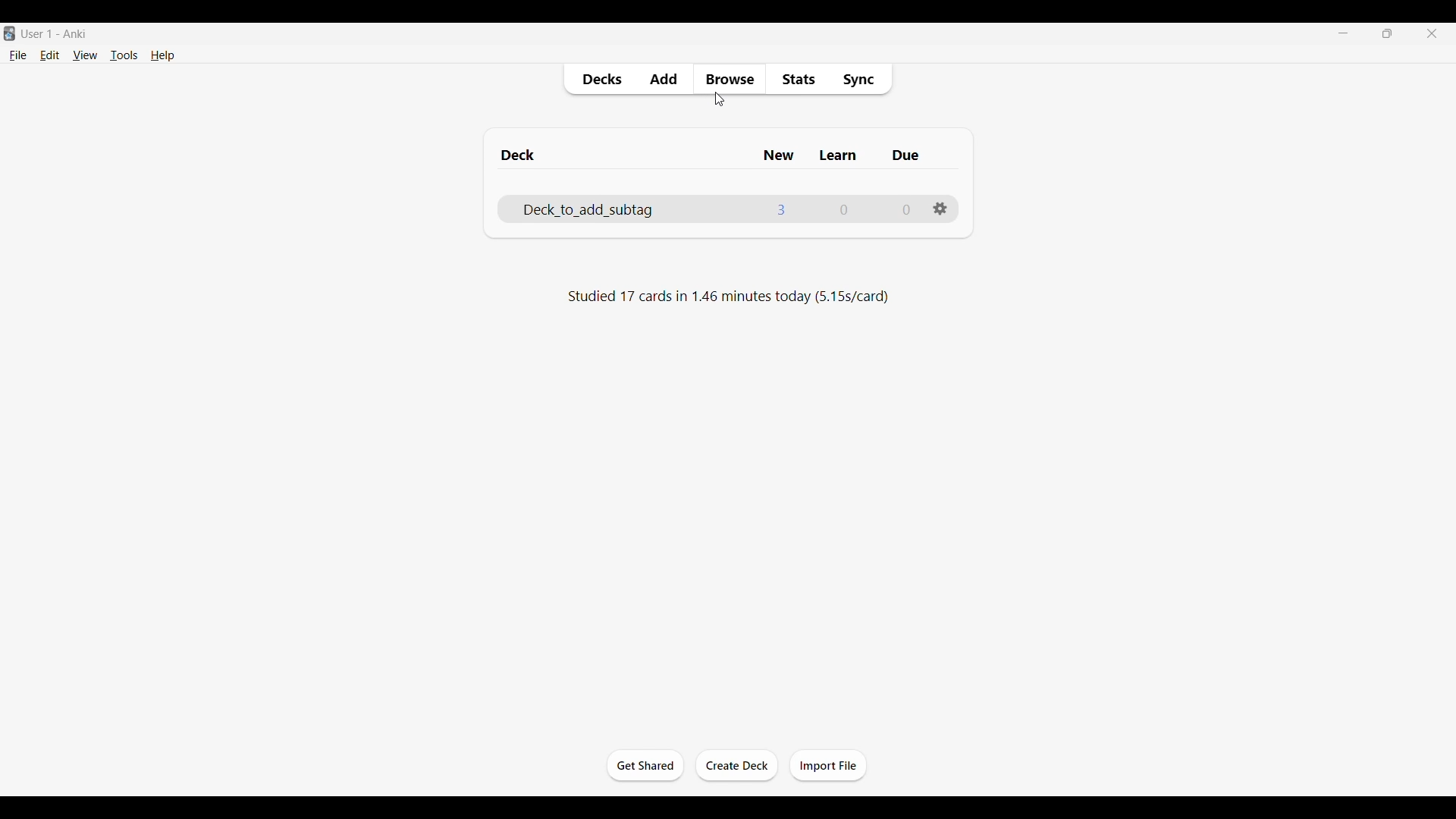  What do you see at coordinates (645, 766) in the screenshot?
I see `Click to start the study session for current deck` at bounding box center [645, 766].